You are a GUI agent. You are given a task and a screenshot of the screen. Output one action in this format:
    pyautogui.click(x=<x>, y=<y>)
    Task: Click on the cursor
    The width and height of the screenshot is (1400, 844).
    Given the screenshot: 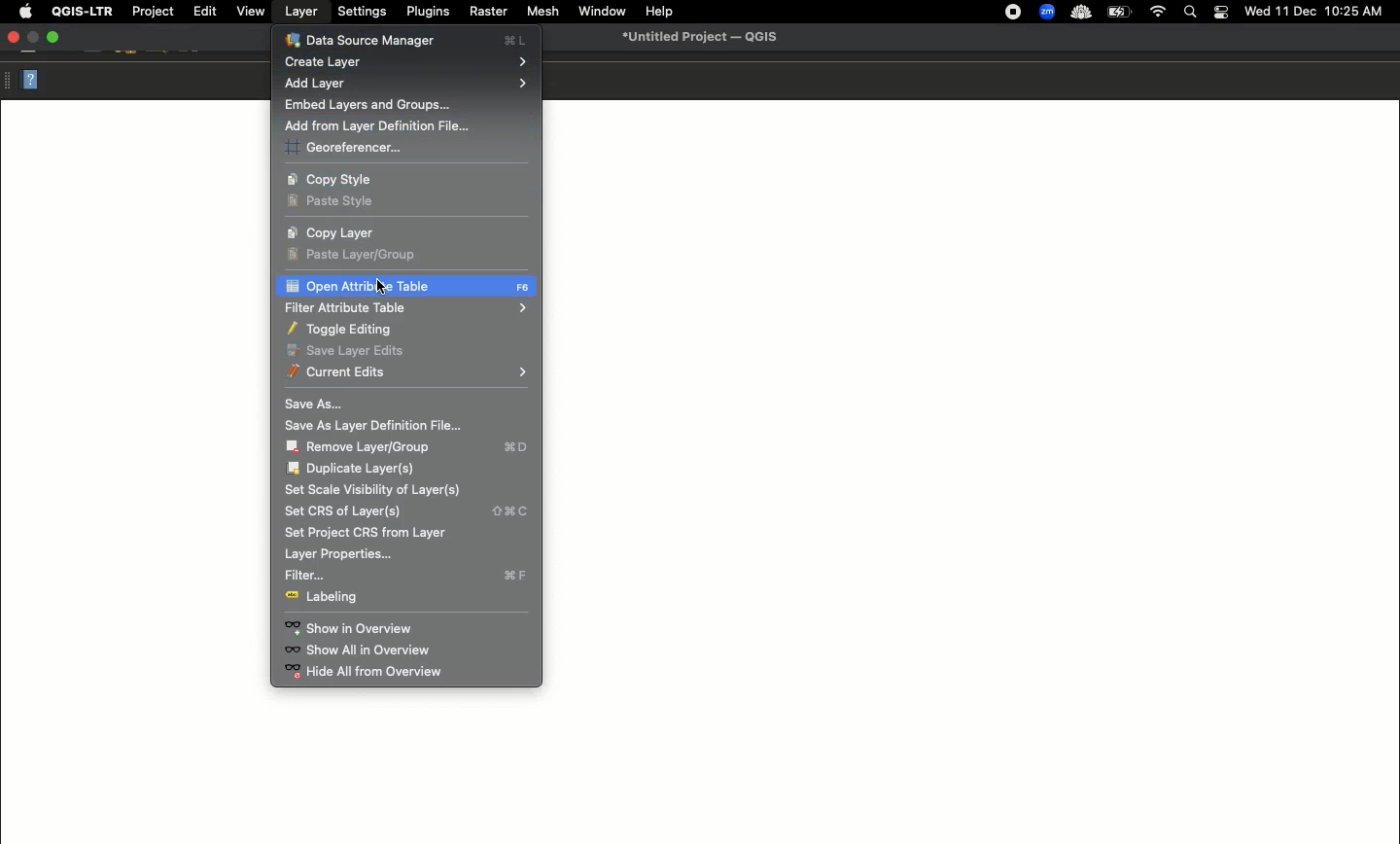 What is the action you would take?
    pyautogui.click(x=383, y=284)
    